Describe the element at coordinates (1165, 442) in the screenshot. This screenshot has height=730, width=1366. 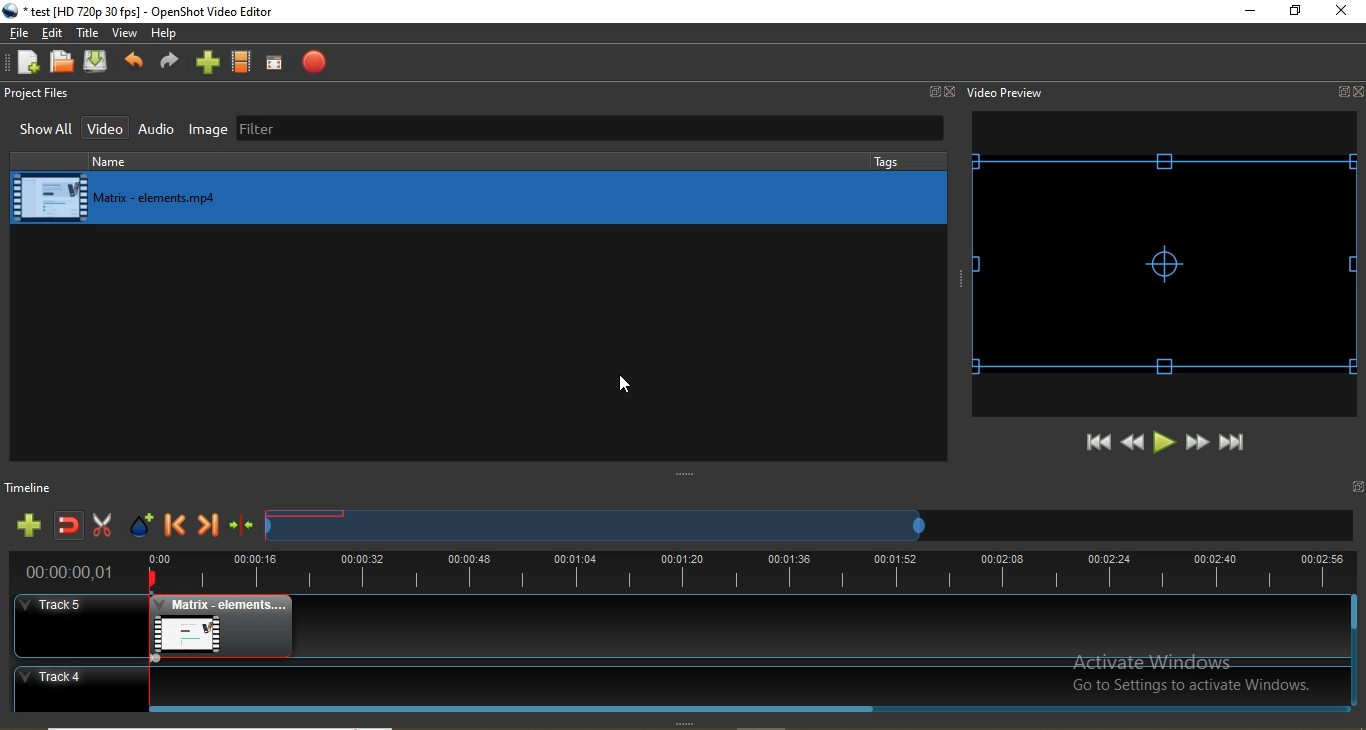
I see `Play` at that location.